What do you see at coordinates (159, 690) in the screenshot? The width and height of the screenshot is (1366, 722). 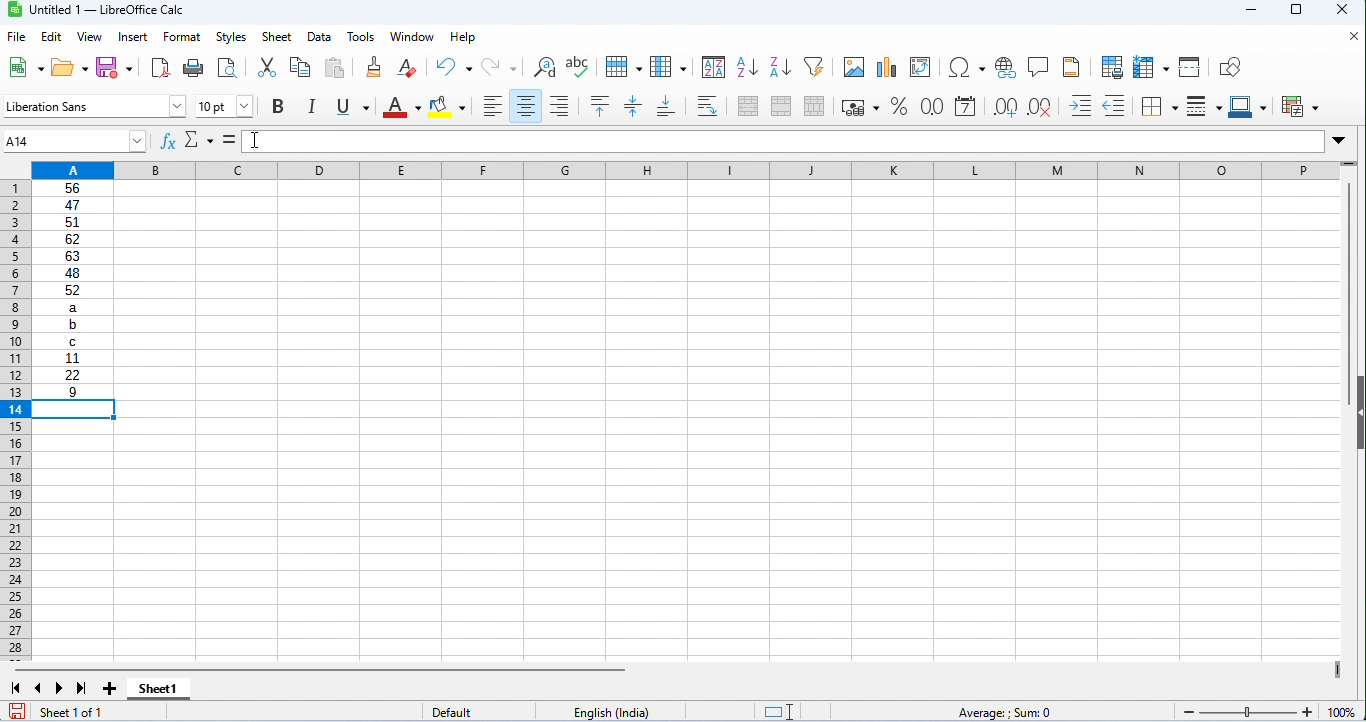 I see `sheet1` at bounding box center [159, 690].